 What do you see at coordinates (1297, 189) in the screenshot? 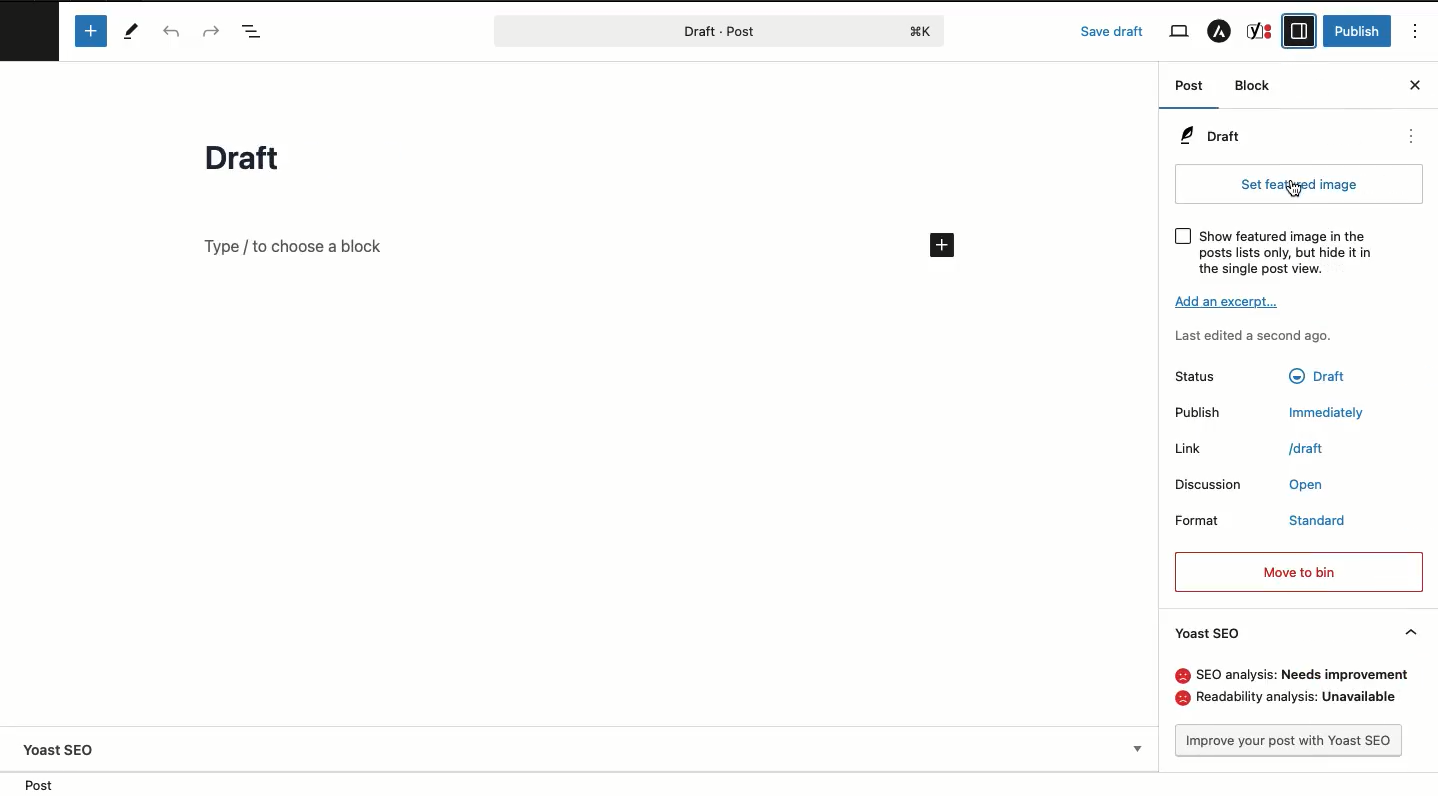
I see `cursor` at bounding box center [1297, 189].